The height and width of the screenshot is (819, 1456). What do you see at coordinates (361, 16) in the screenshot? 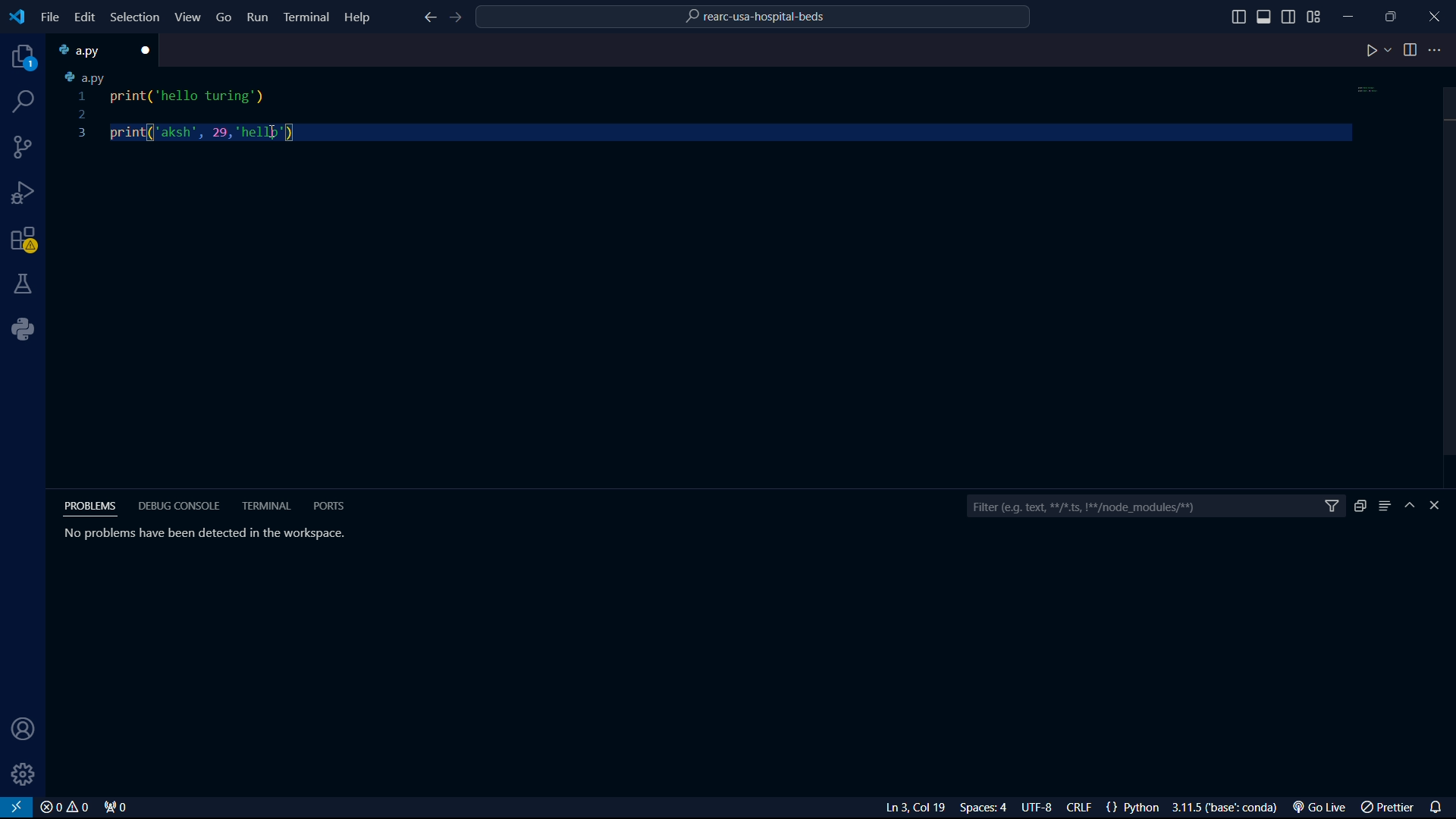
I see `Help` at bounding box center [361, 16].